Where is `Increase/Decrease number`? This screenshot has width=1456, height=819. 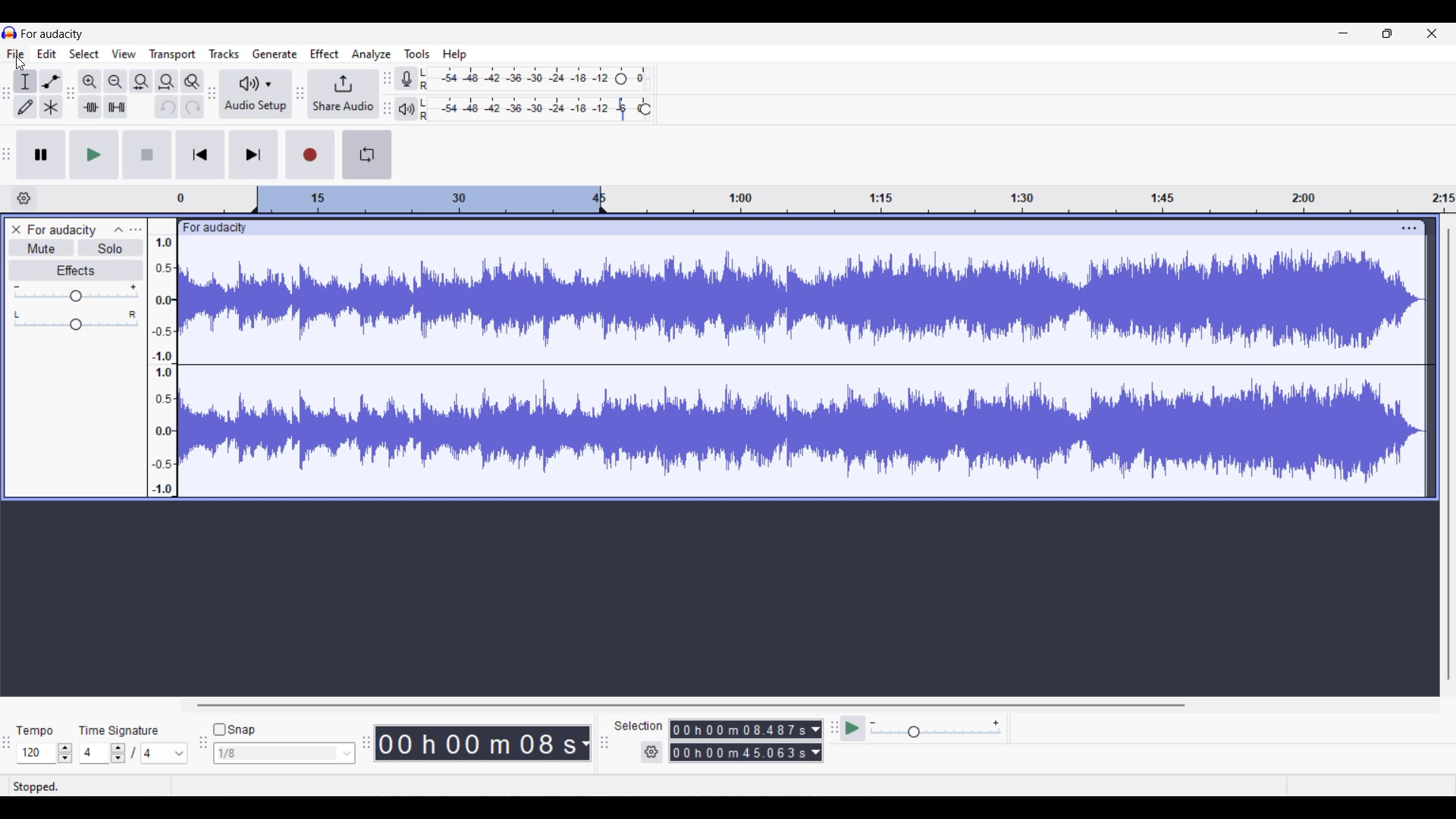
Increase/Decrease number is located at coordinates (118, 753).